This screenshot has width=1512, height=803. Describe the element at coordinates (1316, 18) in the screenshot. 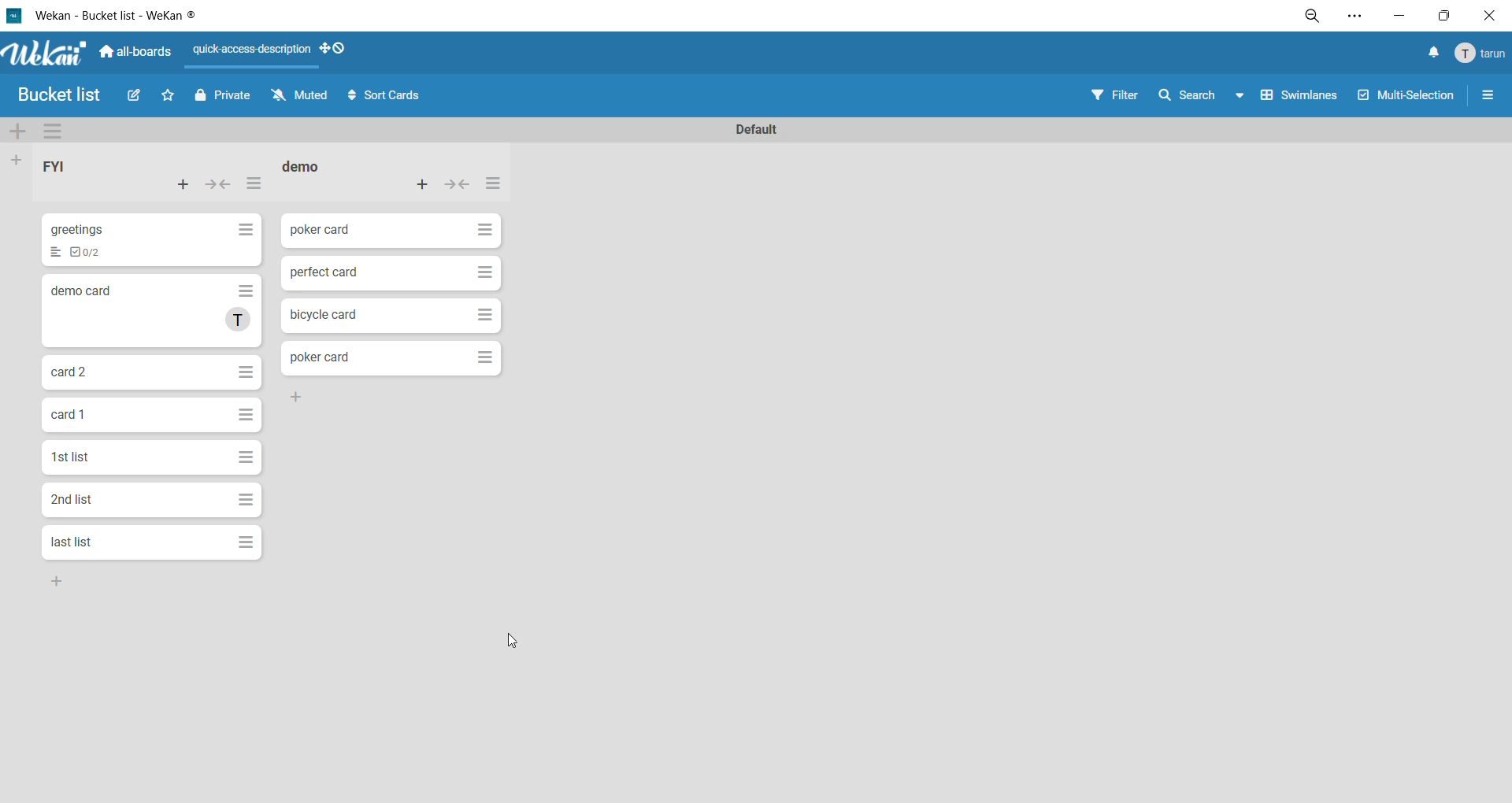

I see `zoom` at that location.